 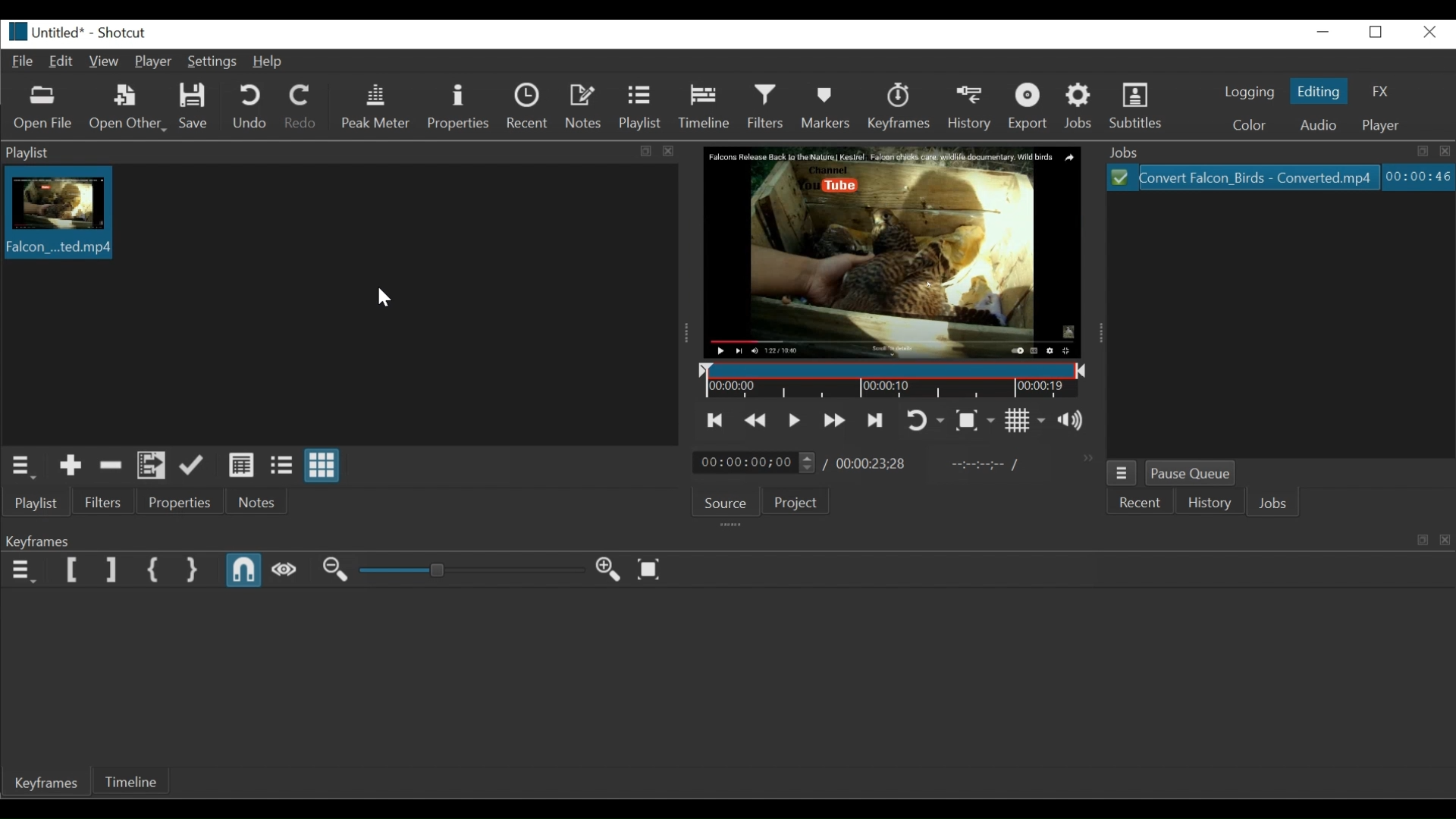 I want to click on close, so click(x=1432, y=33).